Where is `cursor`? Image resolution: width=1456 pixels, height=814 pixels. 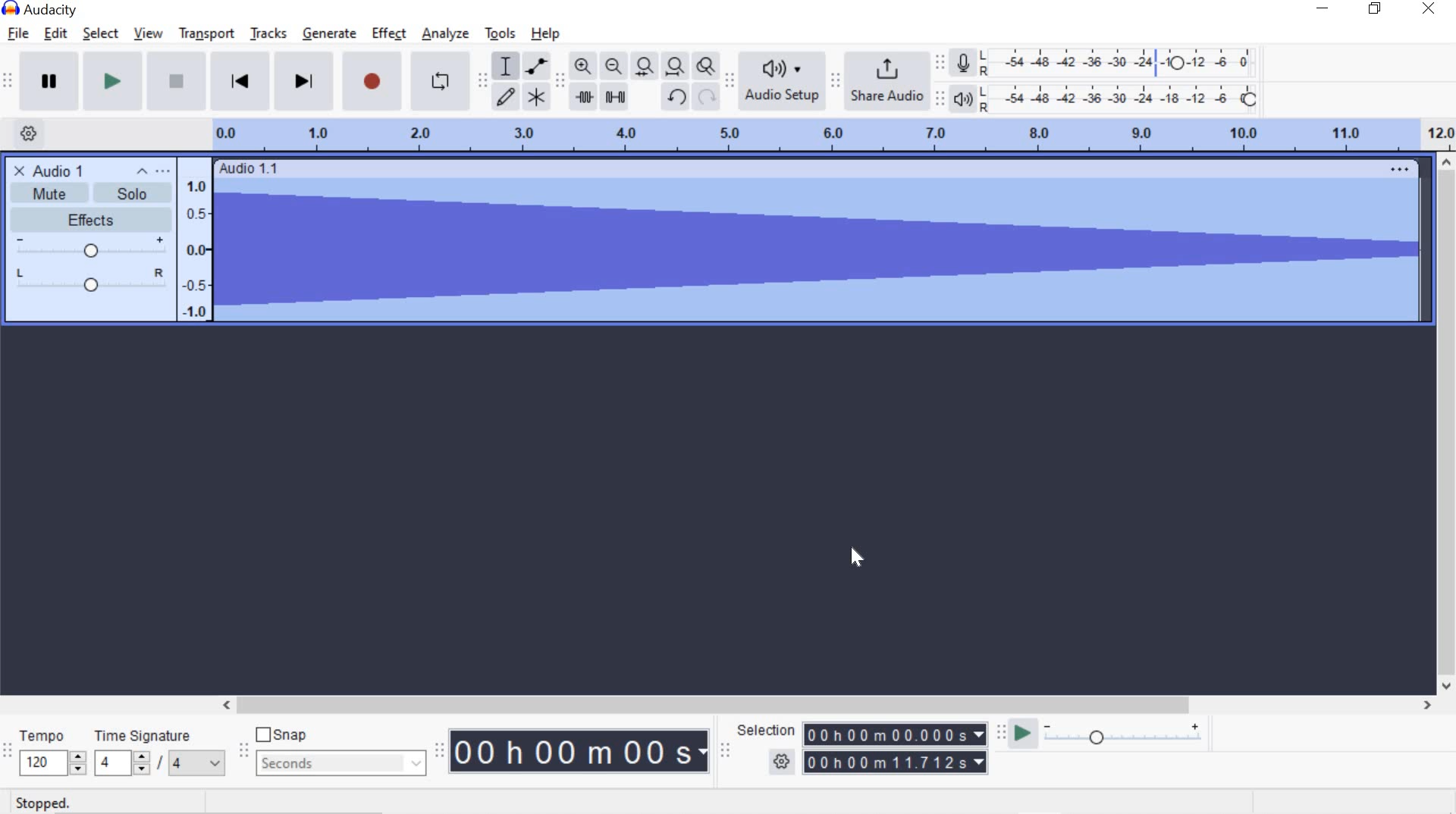 cursor is located at coordinates (855, 558).